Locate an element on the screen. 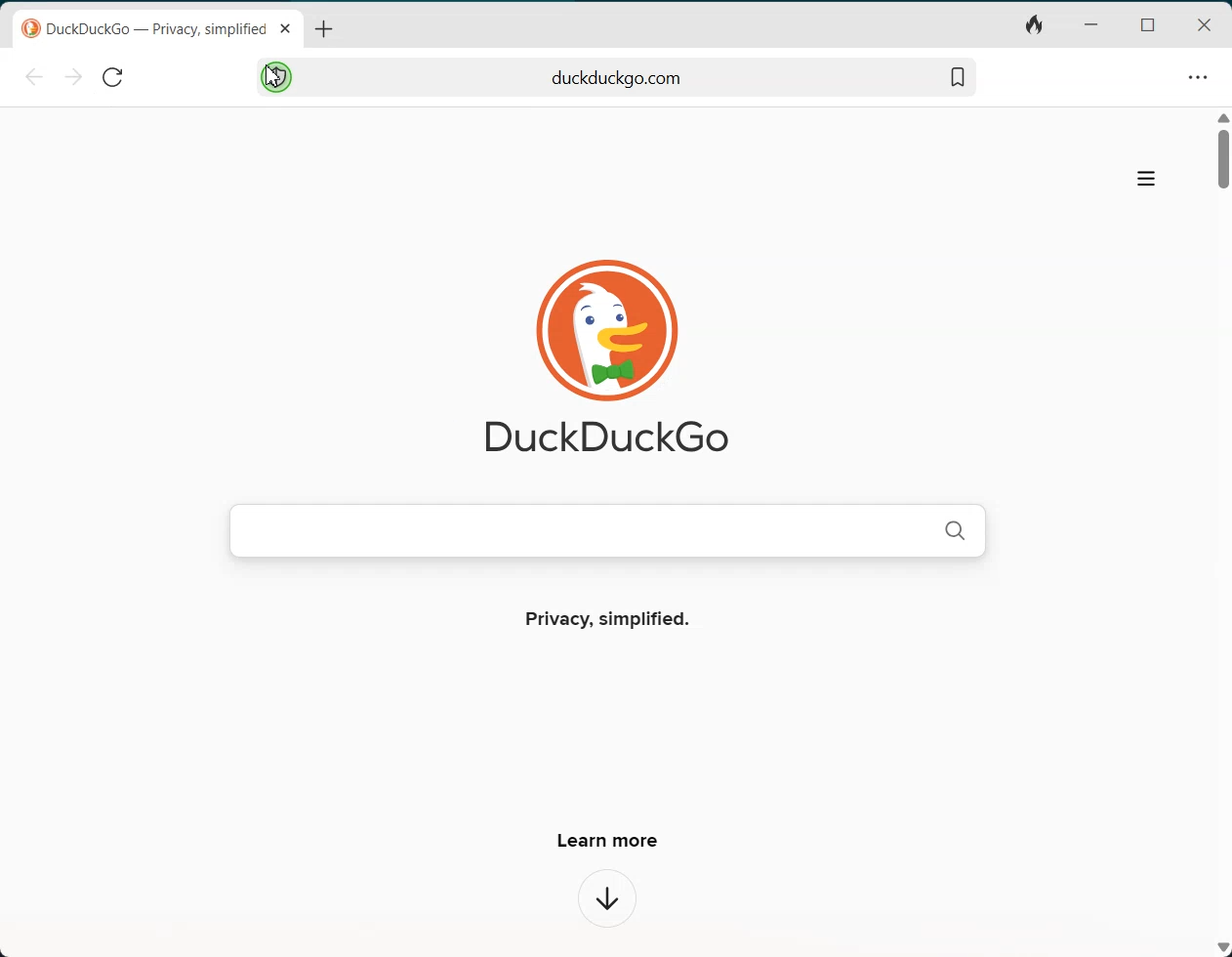 The height and width of the screenshot is (957, 1232). Close is located at coordinates (1205, 24).